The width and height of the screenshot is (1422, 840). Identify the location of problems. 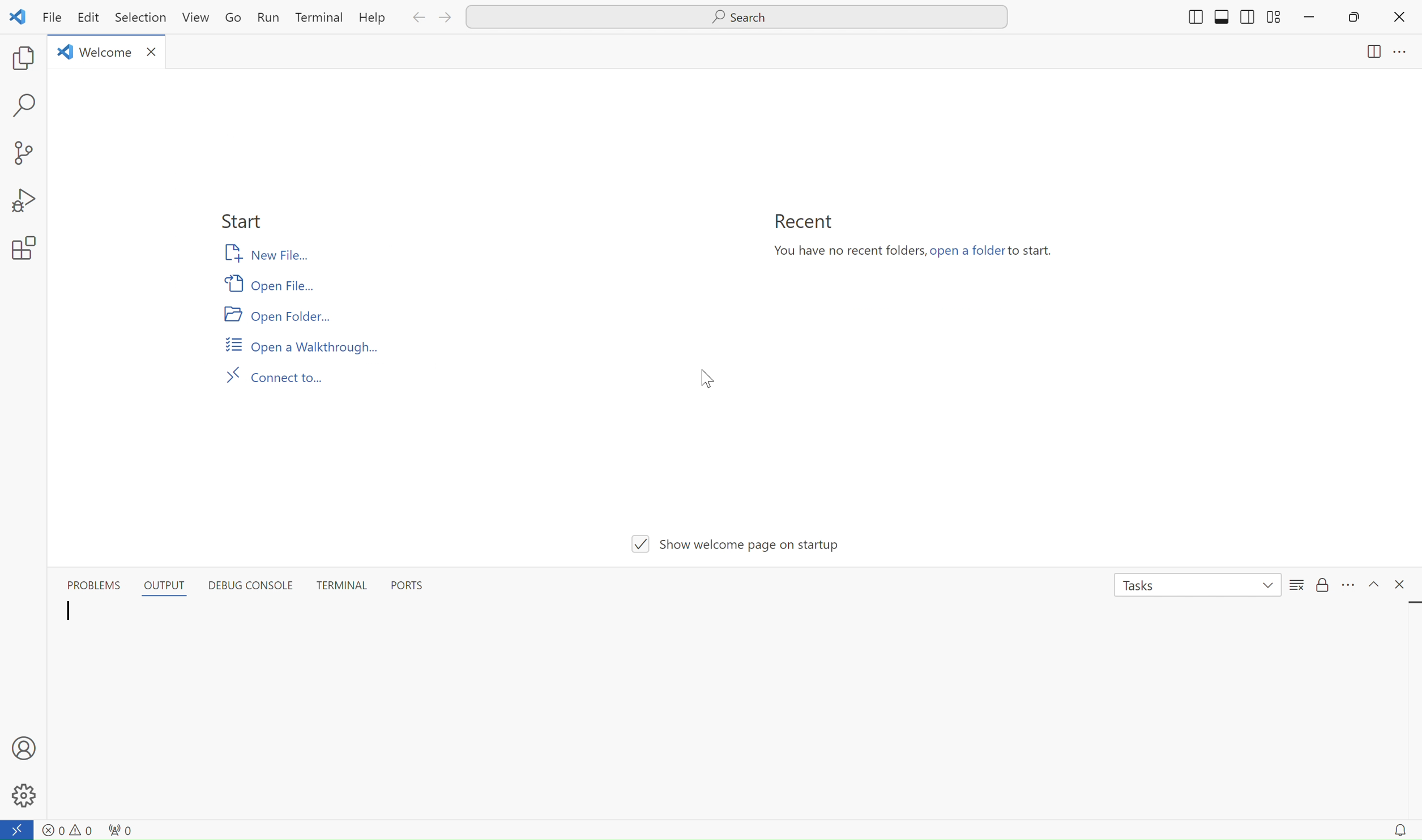
(91, 584).